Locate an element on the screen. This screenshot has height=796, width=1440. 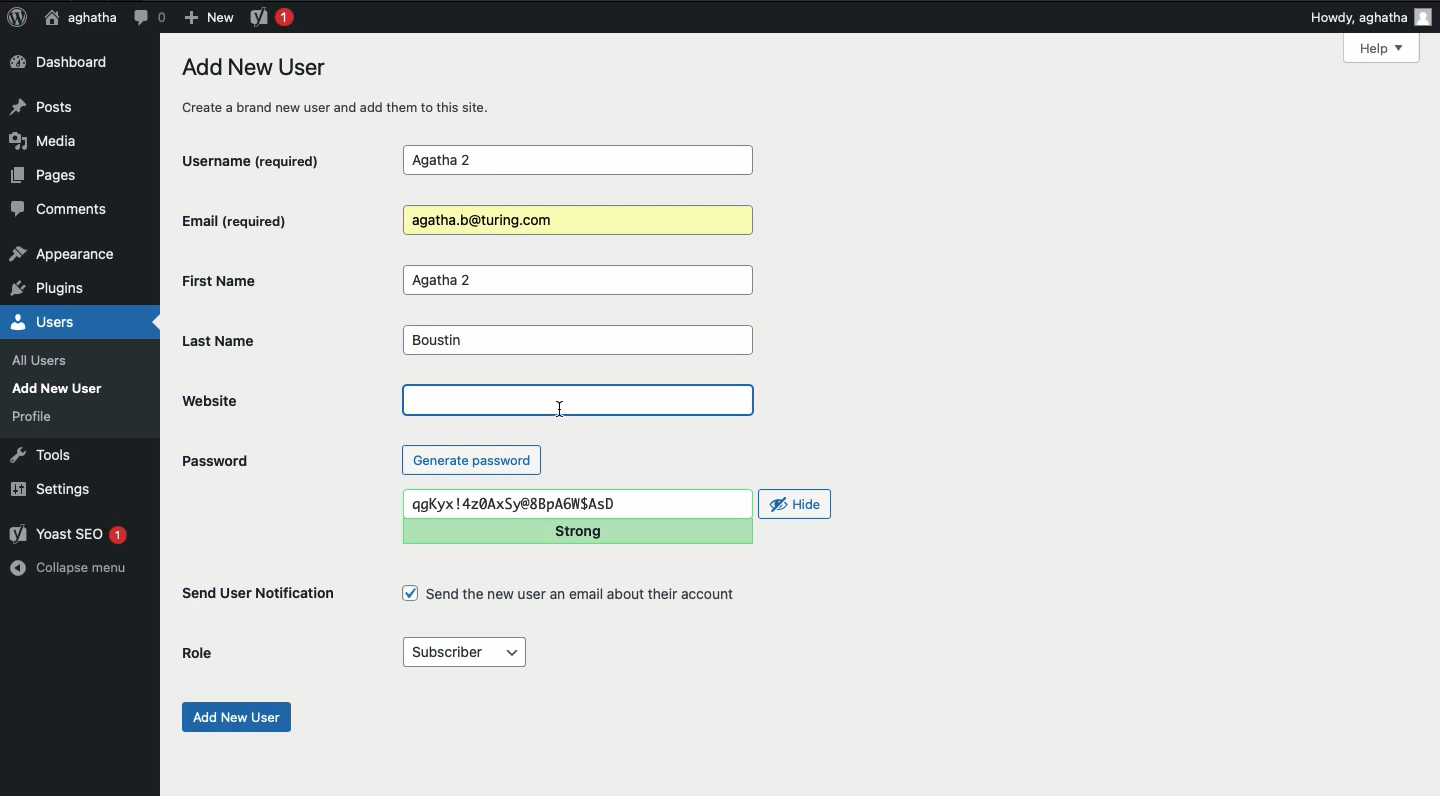
Email (required) is located at coordinates (269, 220).